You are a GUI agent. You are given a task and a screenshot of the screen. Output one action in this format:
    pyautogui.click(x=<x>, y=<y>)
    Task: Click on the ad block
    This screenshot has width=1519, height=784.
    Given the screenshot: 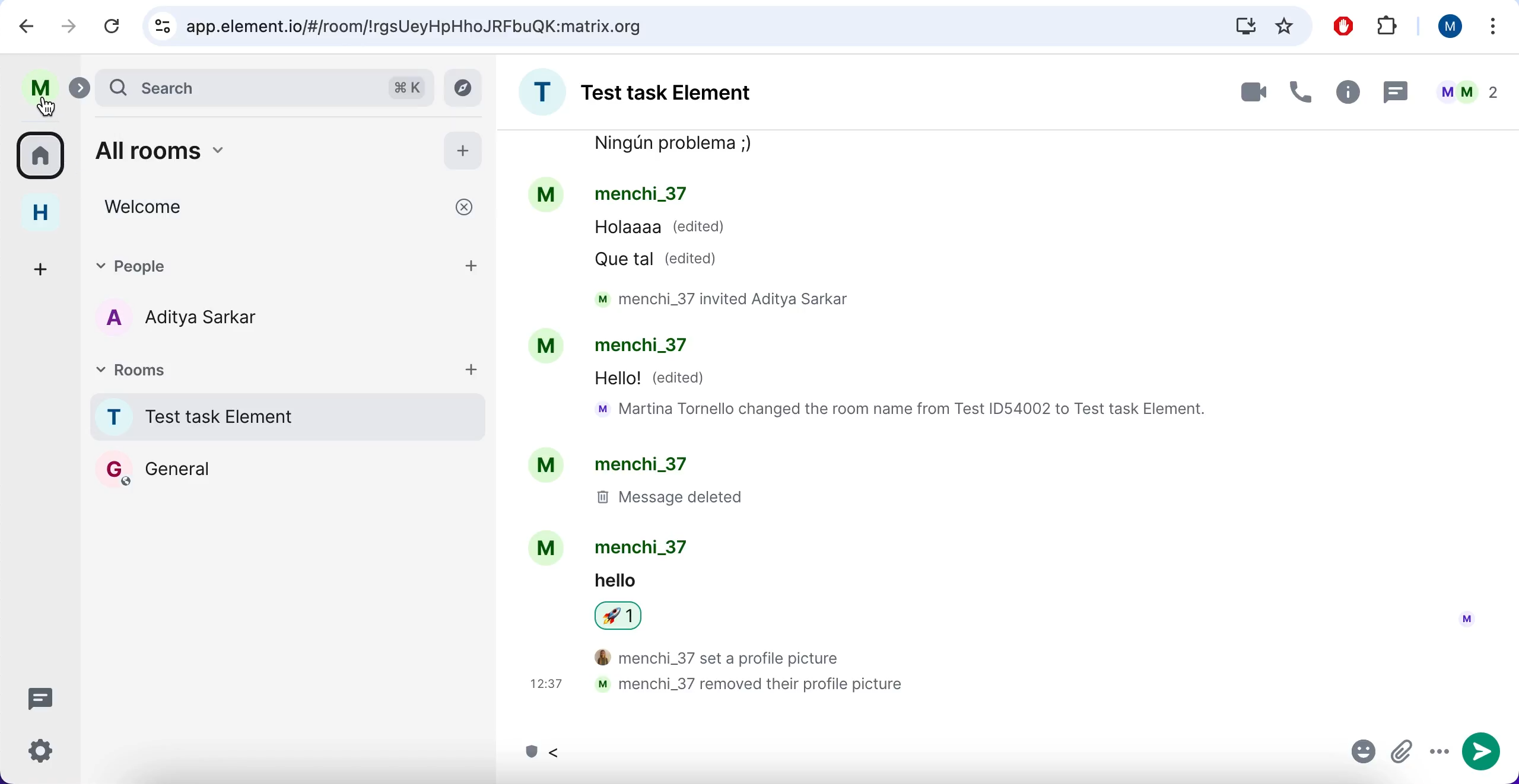 What is the action you would take?
    pyautogui.click(x=1340, y=26)
    